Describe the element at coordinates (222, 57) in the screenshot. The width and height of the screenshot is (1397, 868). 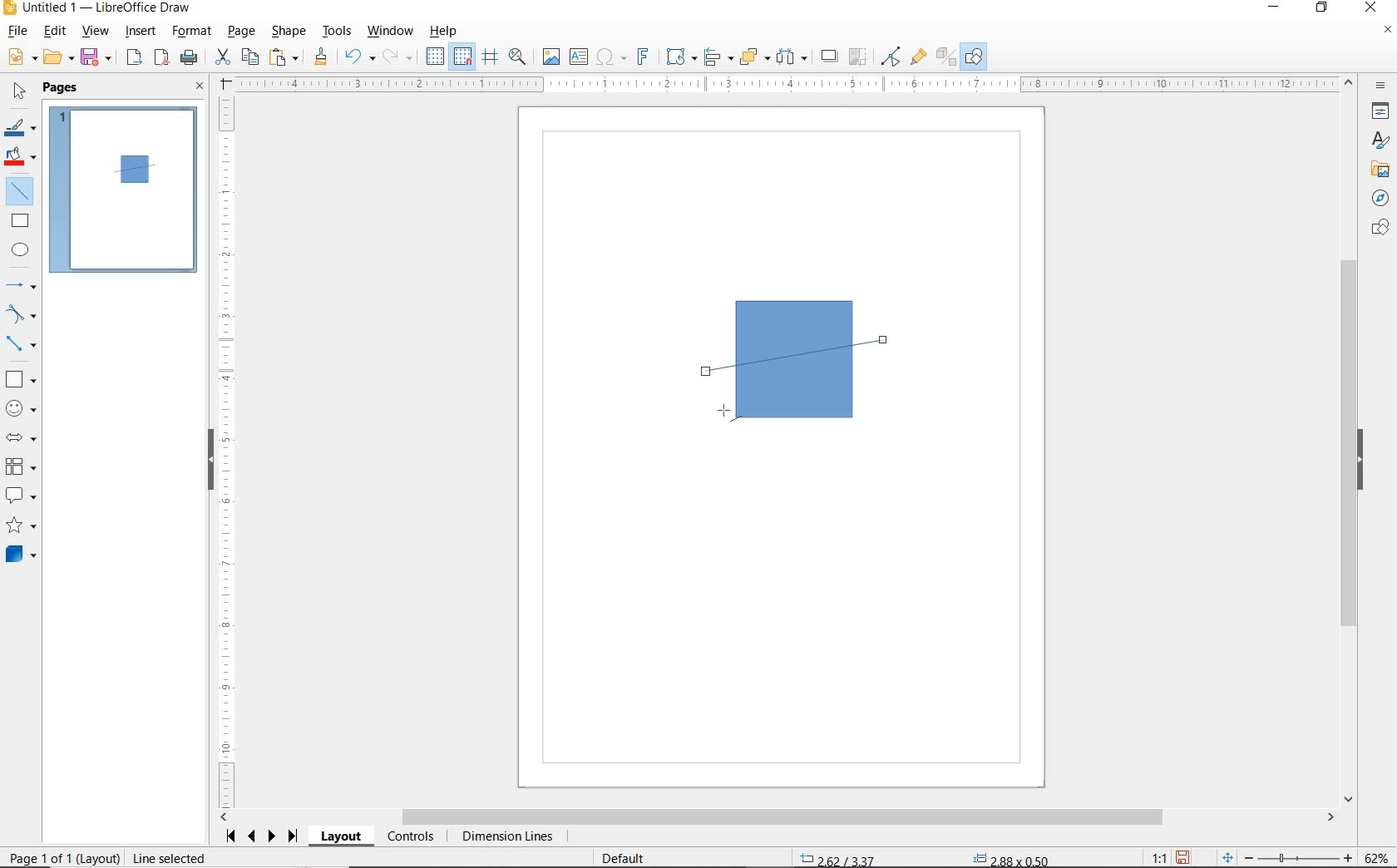
I see `CUT` at that location.